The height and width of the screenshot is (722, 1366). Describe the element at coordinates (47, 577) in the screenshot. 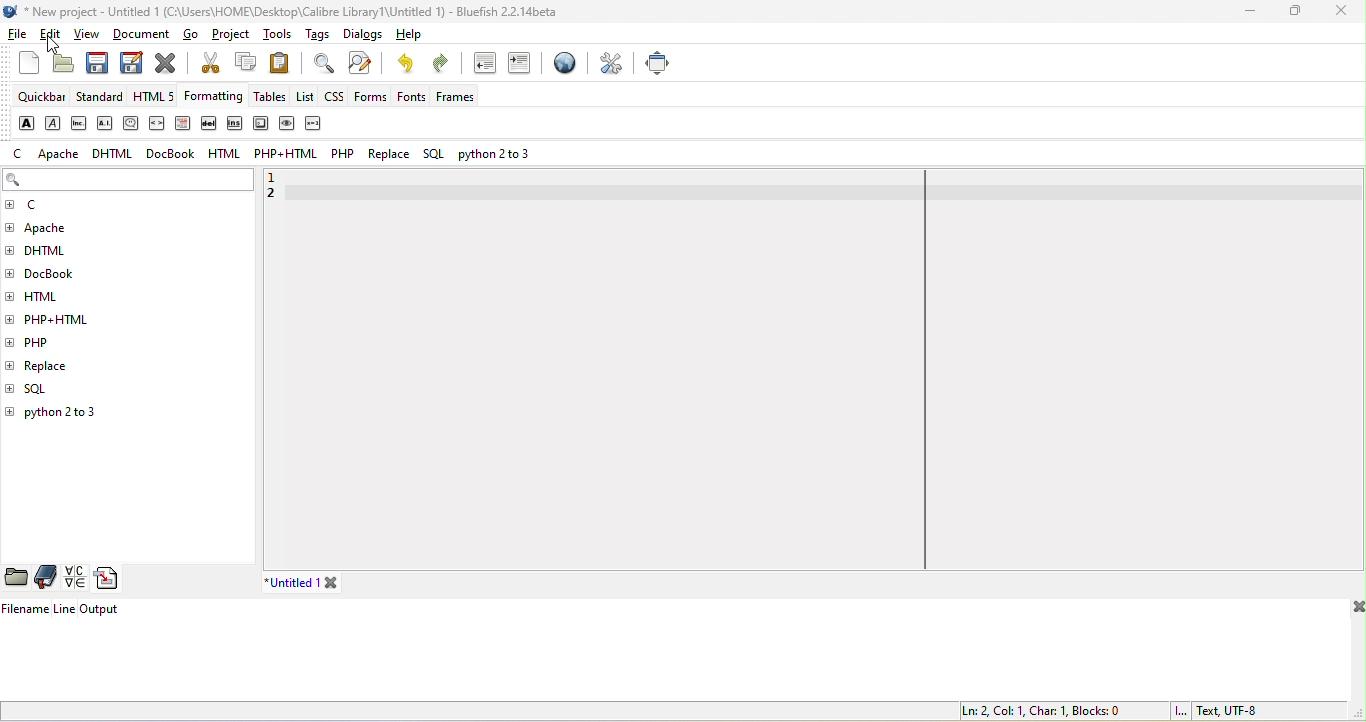

I see `bookmarks` at that location.